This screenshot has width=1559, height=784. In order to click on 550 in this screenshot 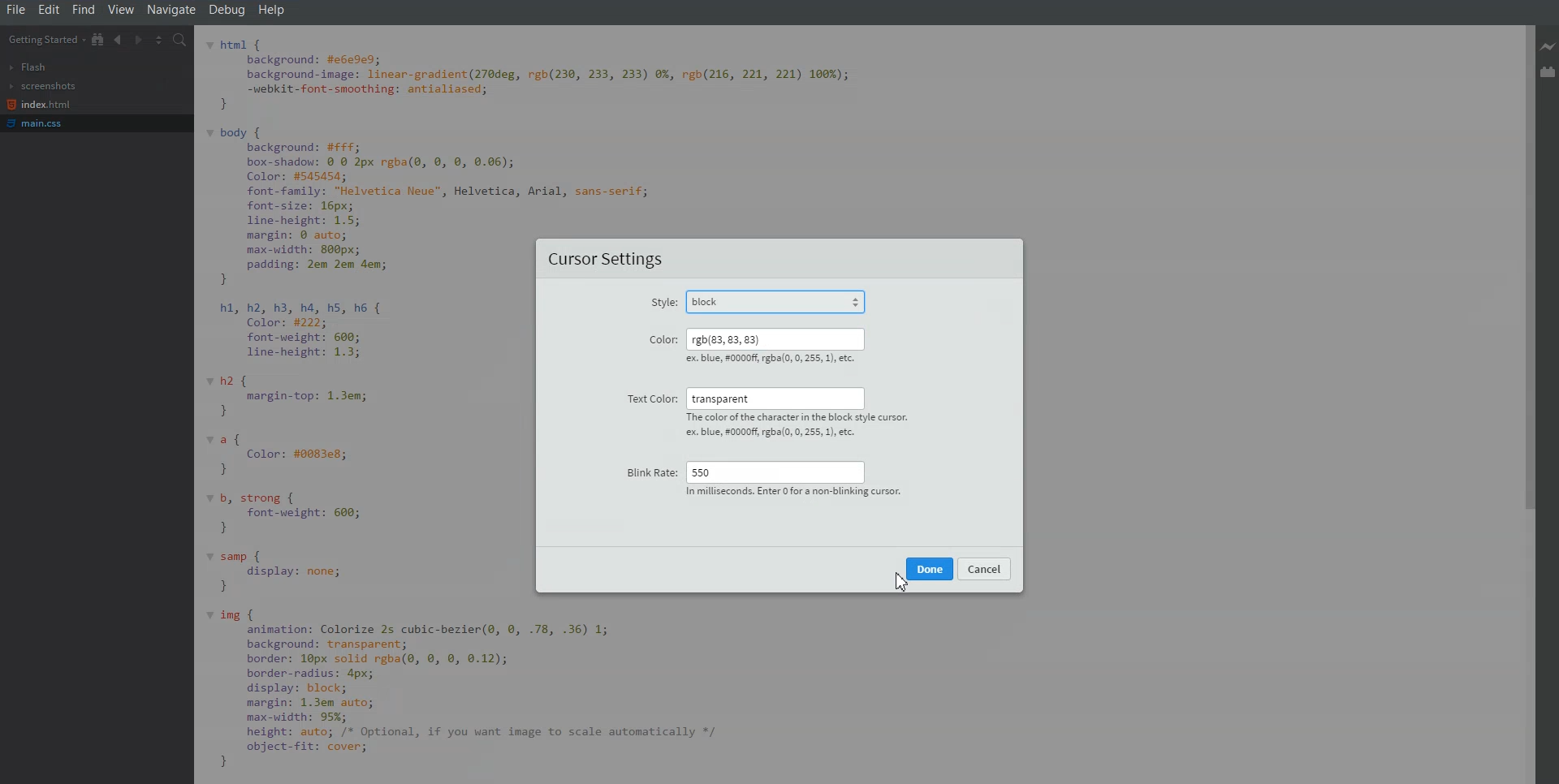, I will do `click(775, 470)`.